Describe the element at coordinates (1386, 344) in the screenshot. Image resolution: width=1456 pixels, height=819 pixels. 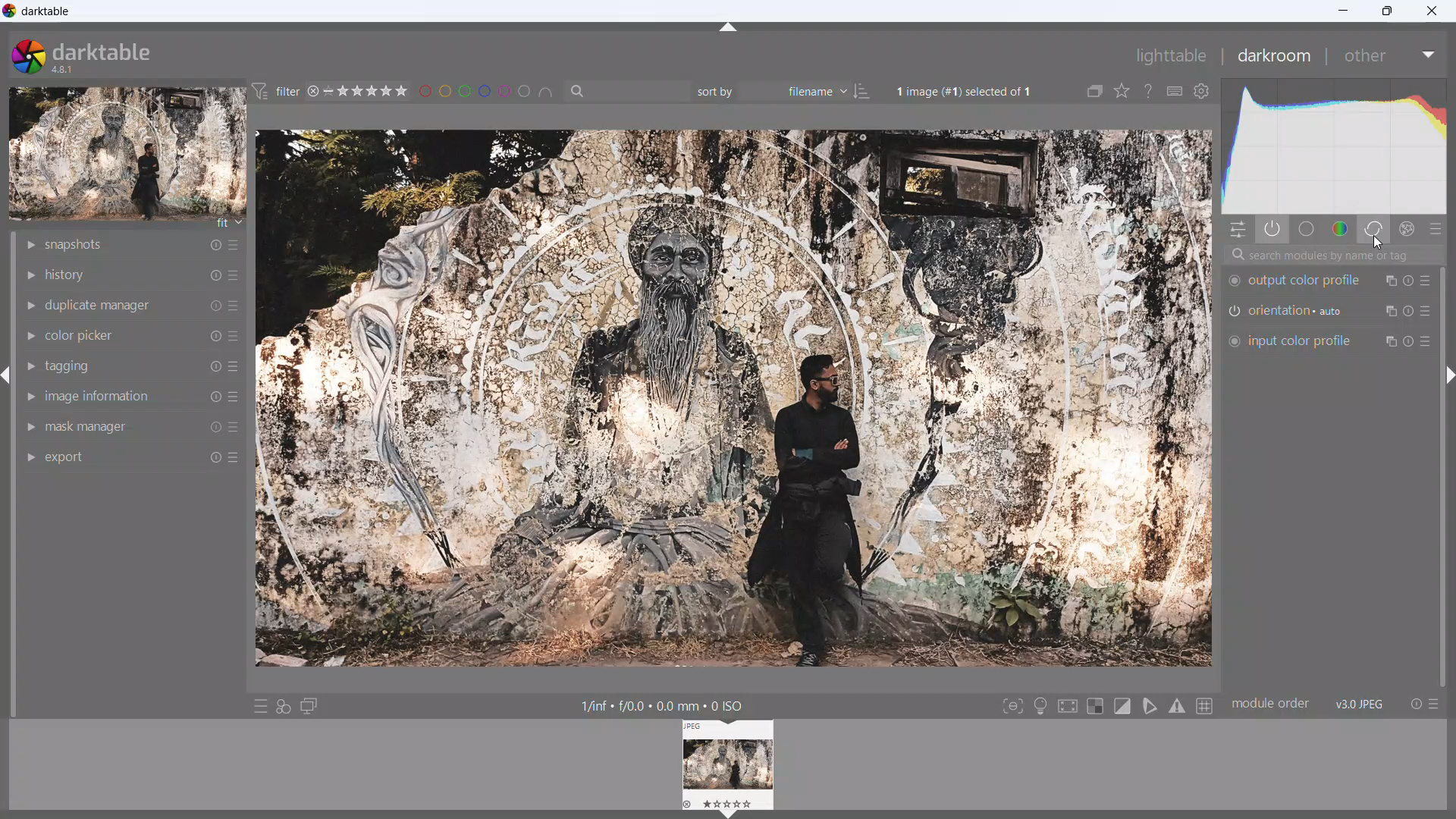
I see `multiple instance action` at that location.